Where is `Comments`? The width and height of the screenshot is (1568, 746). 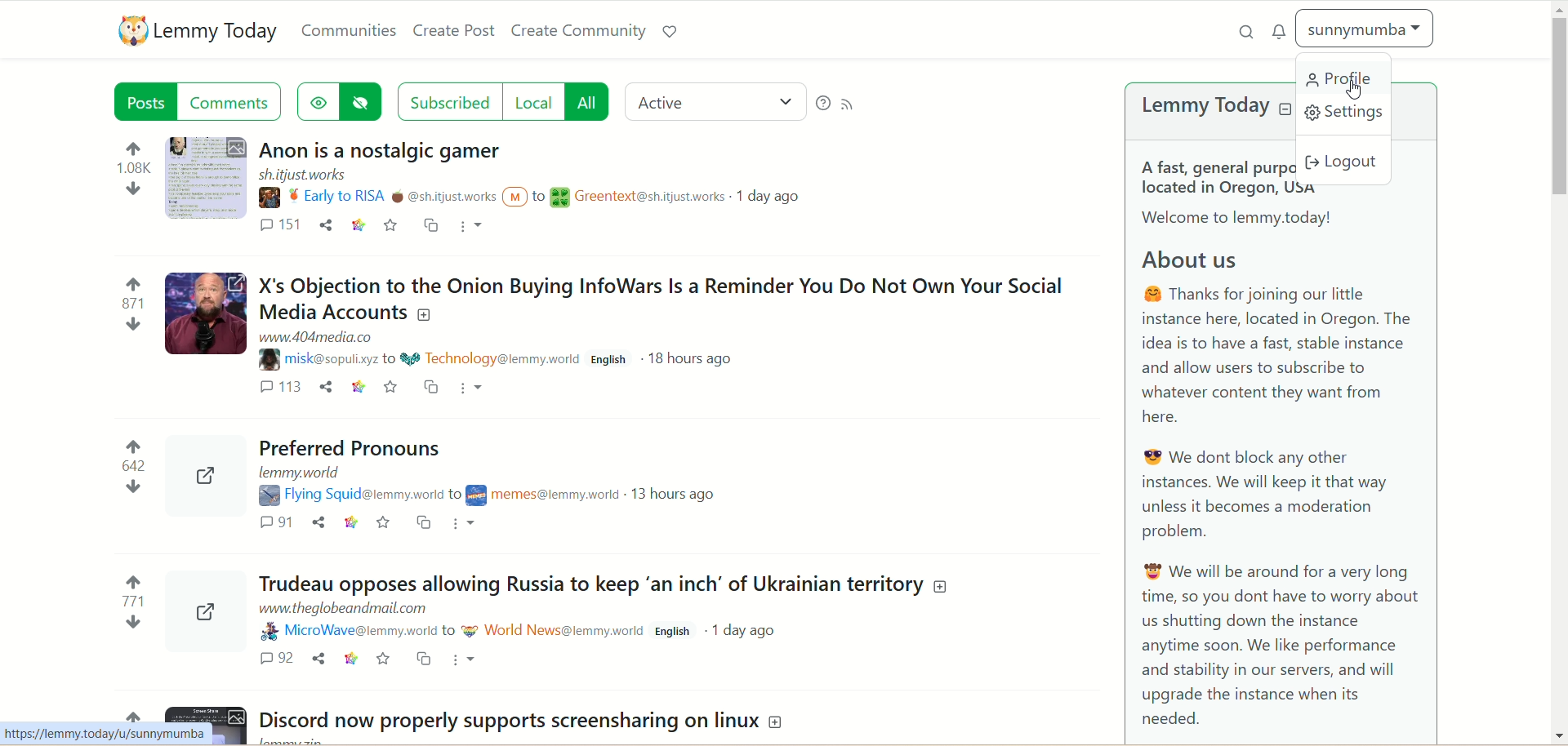
Comments is located at coordinates (277, 522).